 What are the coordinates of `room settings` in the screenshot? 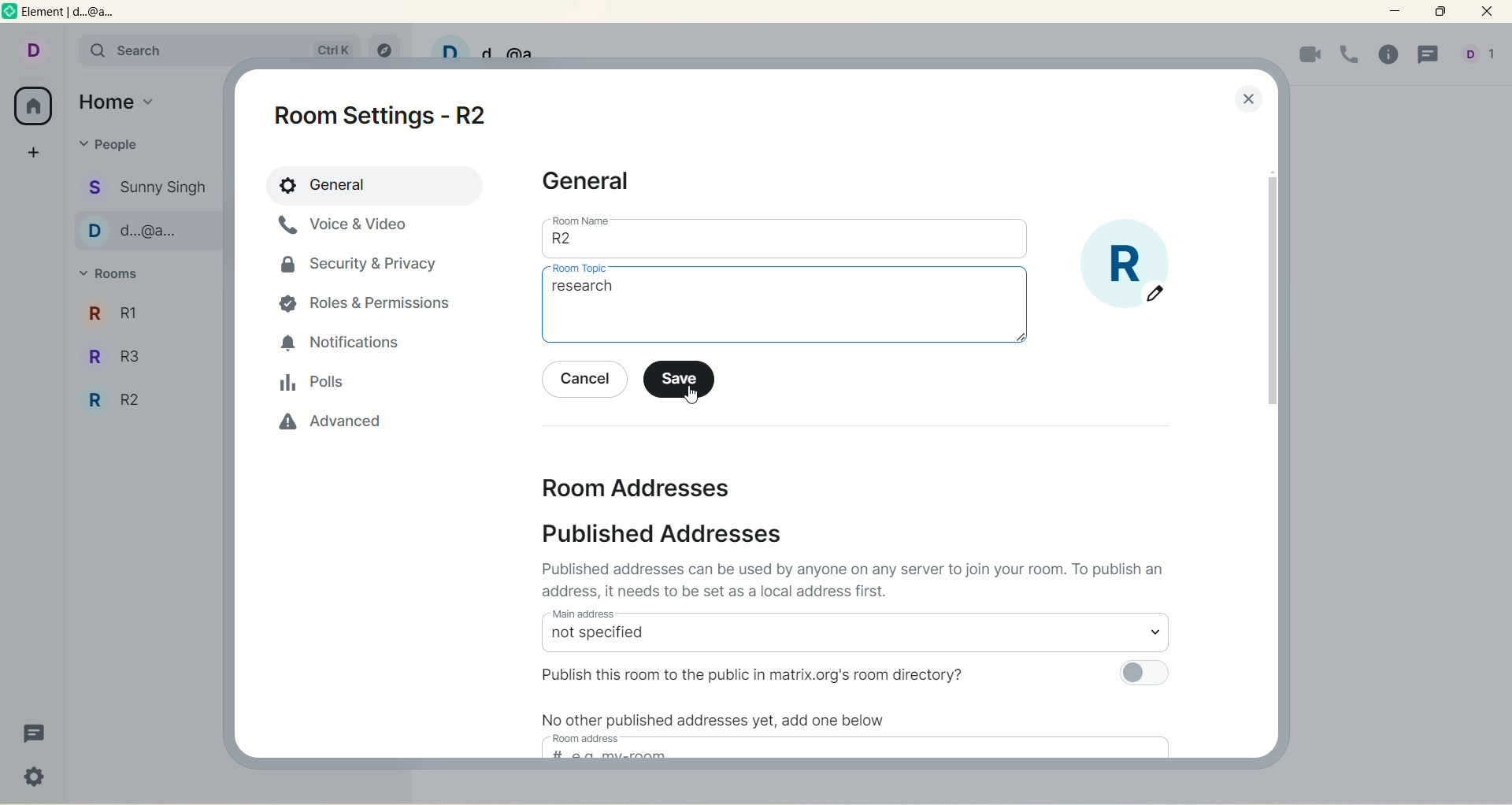 It's located at (391, 114).